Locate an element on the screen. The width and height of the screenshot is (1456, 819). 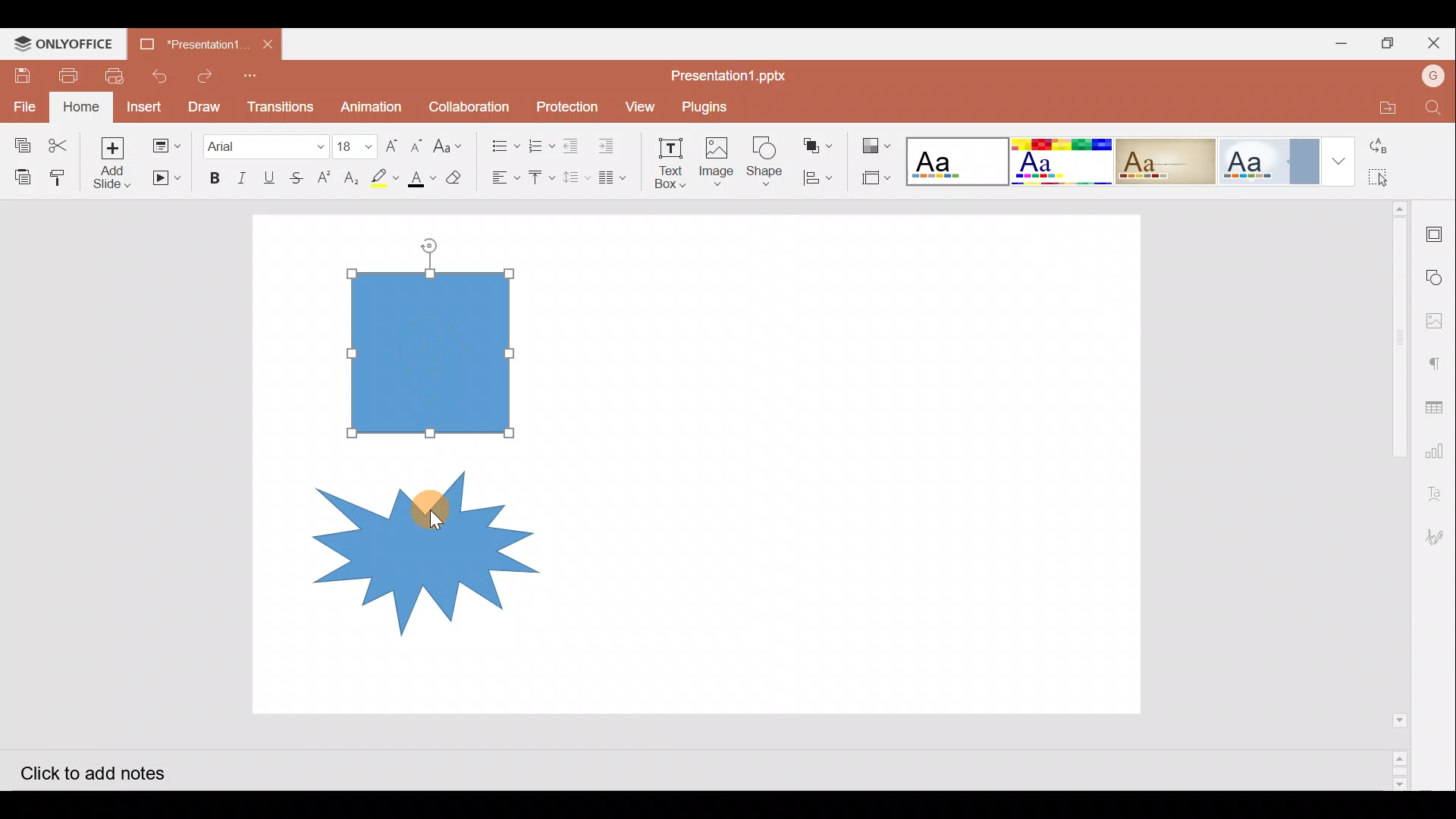
Font name is located at coordinates (264, 142).